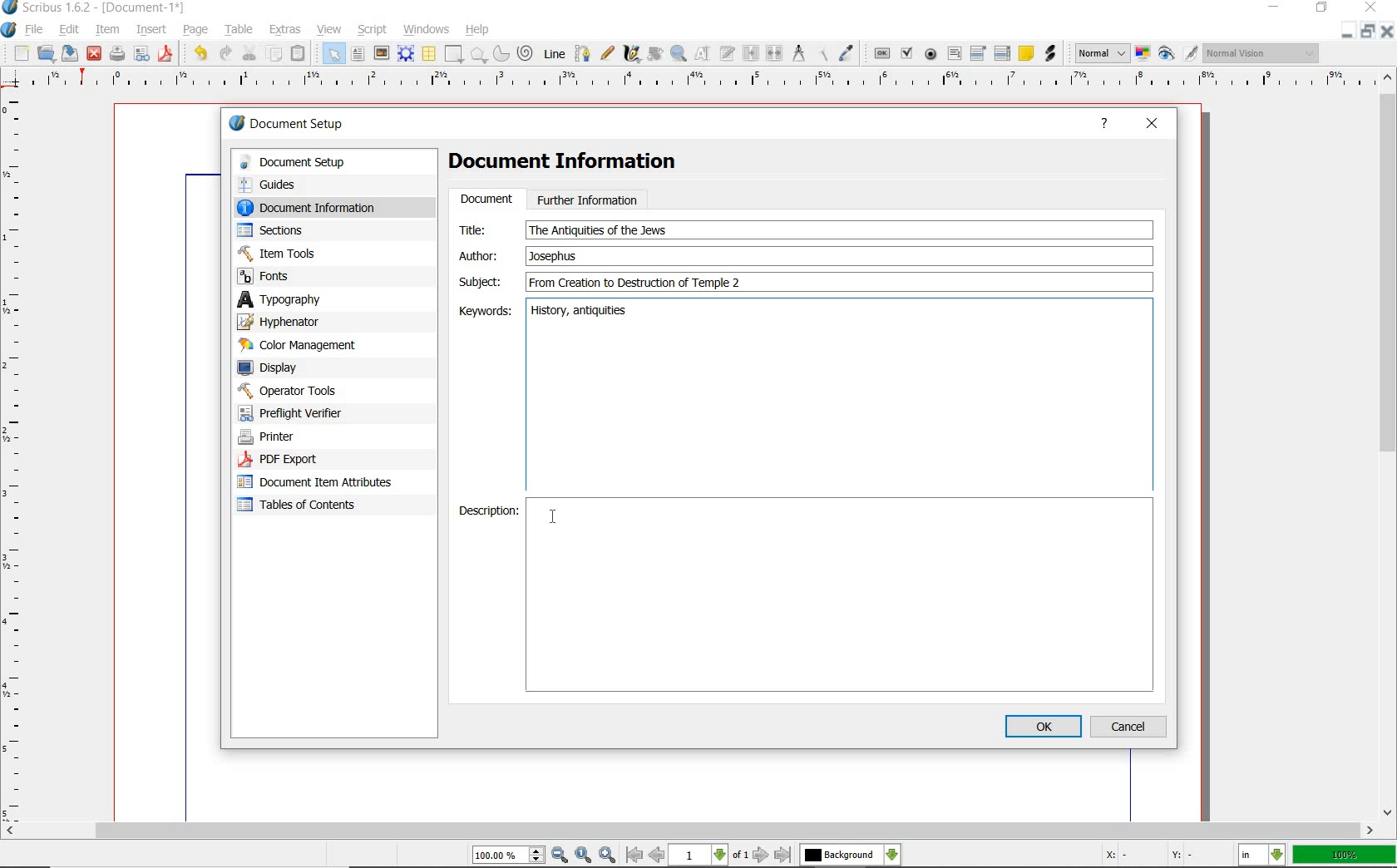 This screenshot has width=1397, height=868. What do you see at coordinates (1371, 7) in the screenshot?
I see `close` at bounding box center [1371, 7].